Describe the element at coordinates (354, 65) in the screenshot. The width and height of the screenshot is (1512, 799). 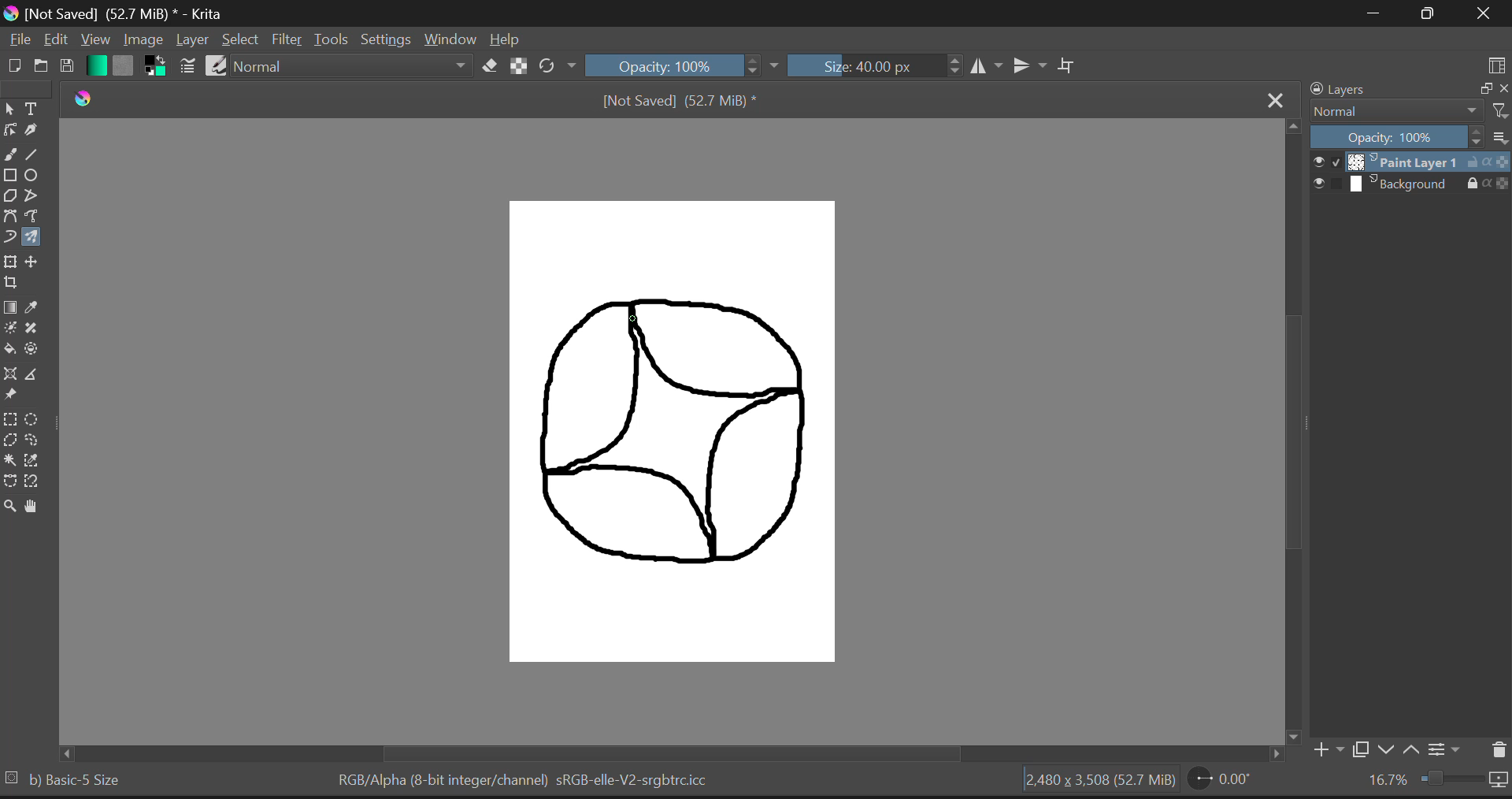
I see `Normal` at that location.